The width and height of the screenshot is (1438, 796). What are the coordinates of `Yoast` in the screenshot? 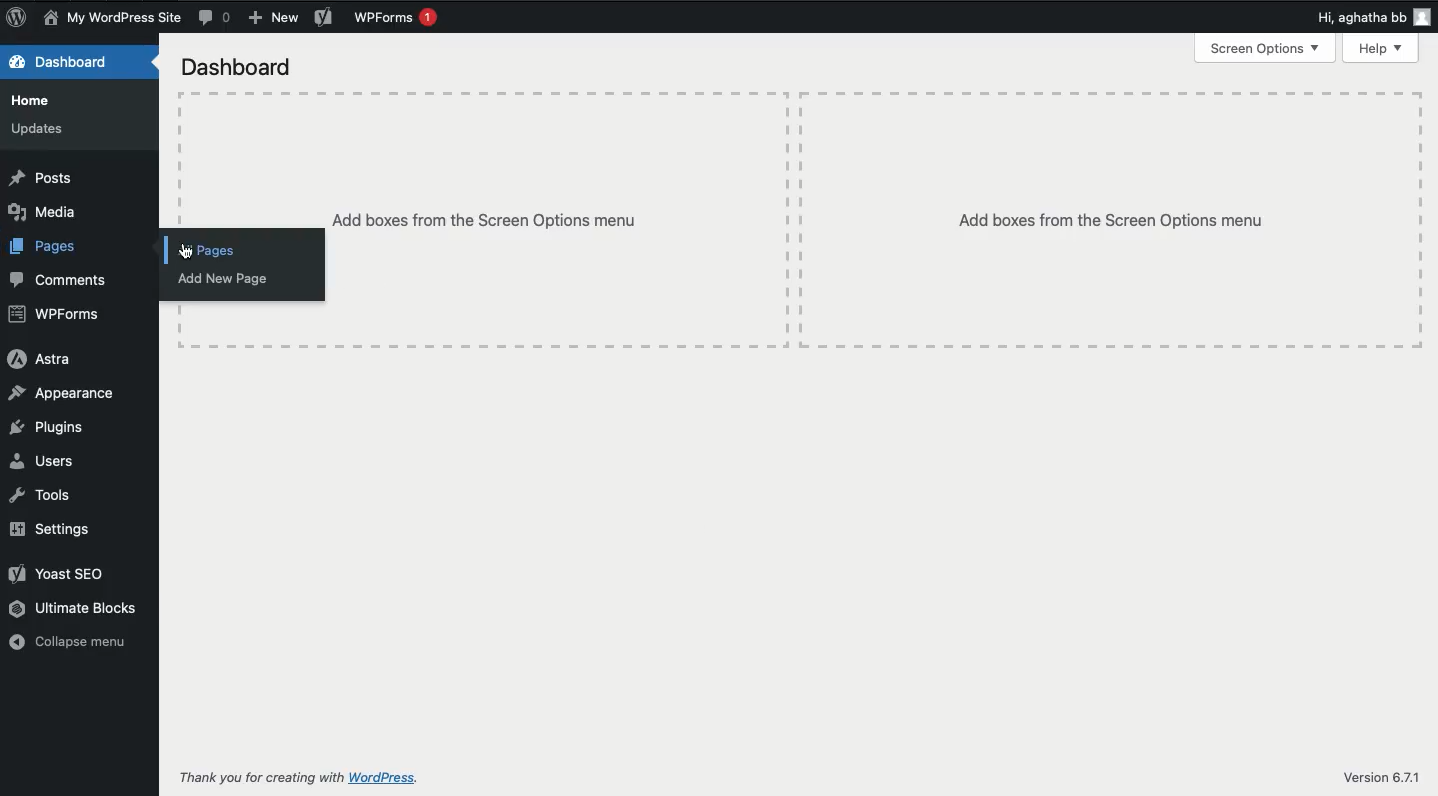 It's located at (59, 574).